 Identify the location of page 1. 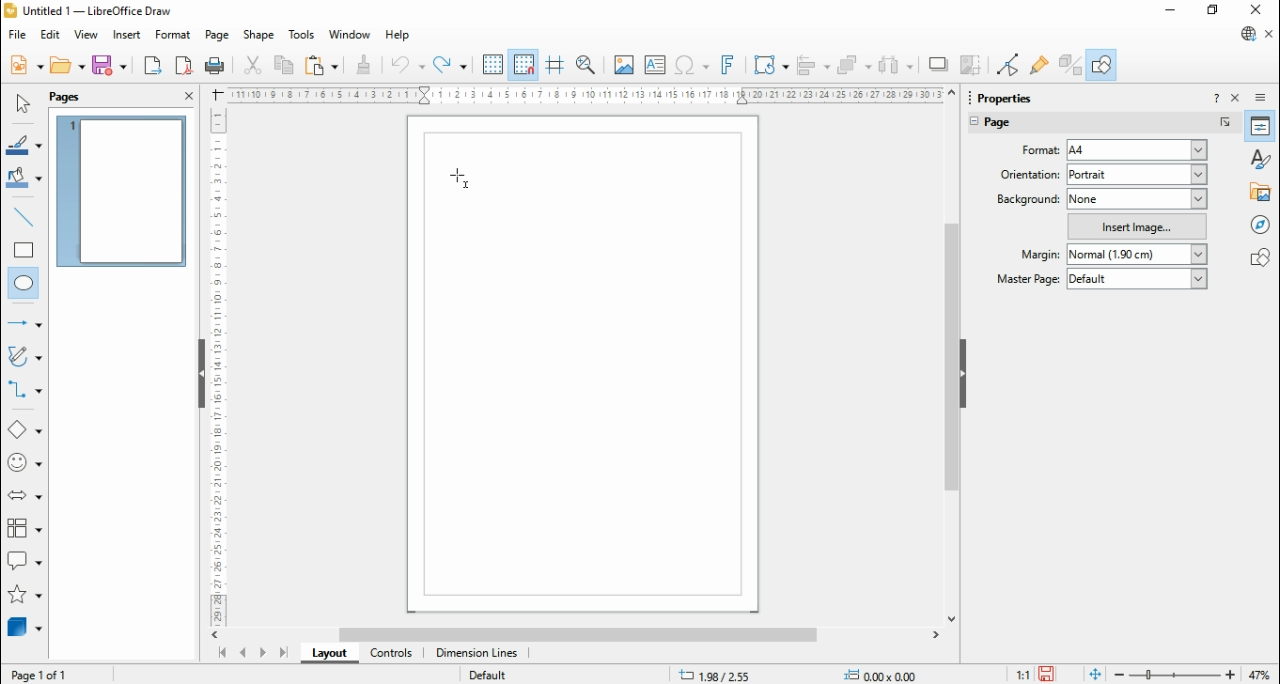
(123, 191).